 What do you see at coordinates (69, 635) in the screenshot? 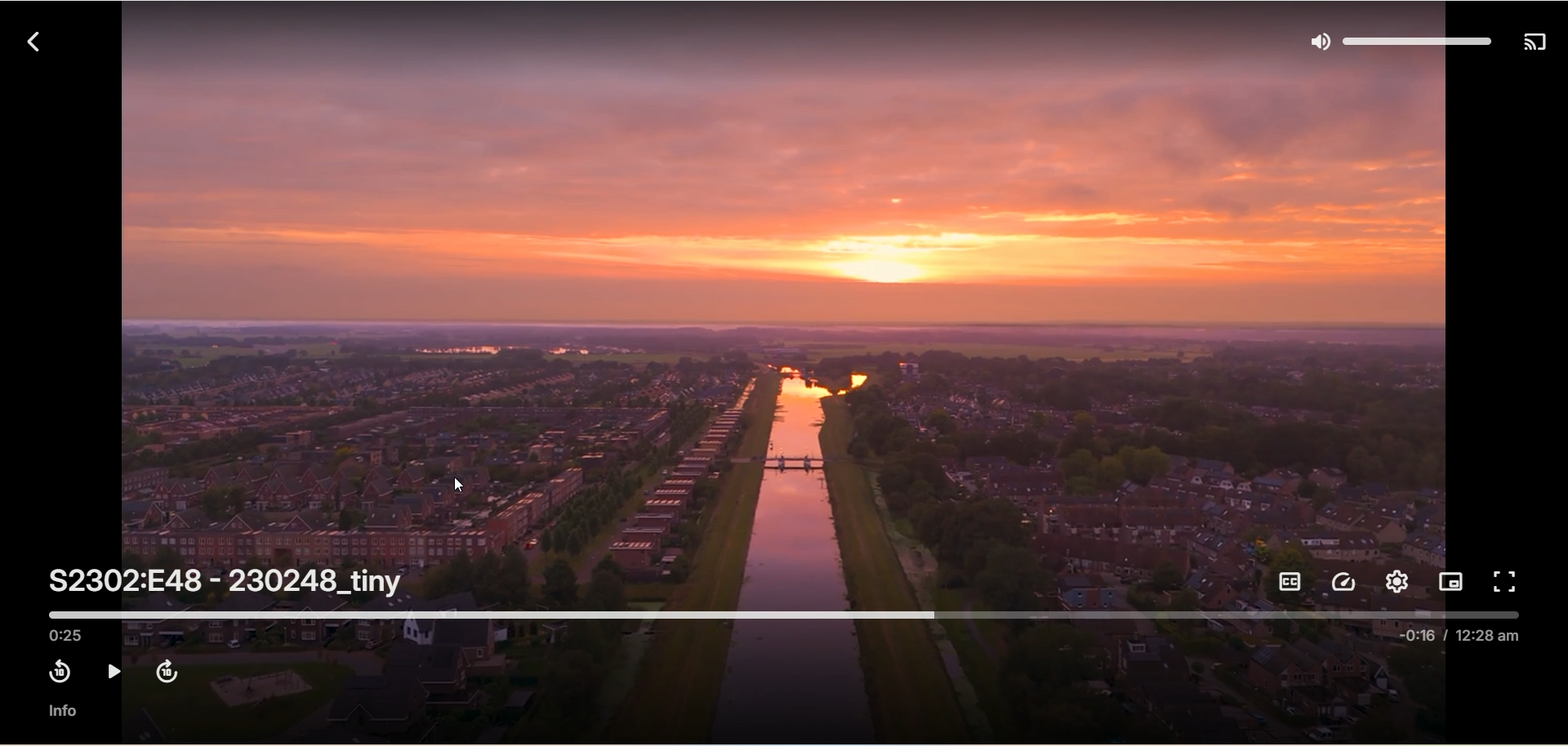
I see `played time- 0:24` at bounding box center [69, 635].